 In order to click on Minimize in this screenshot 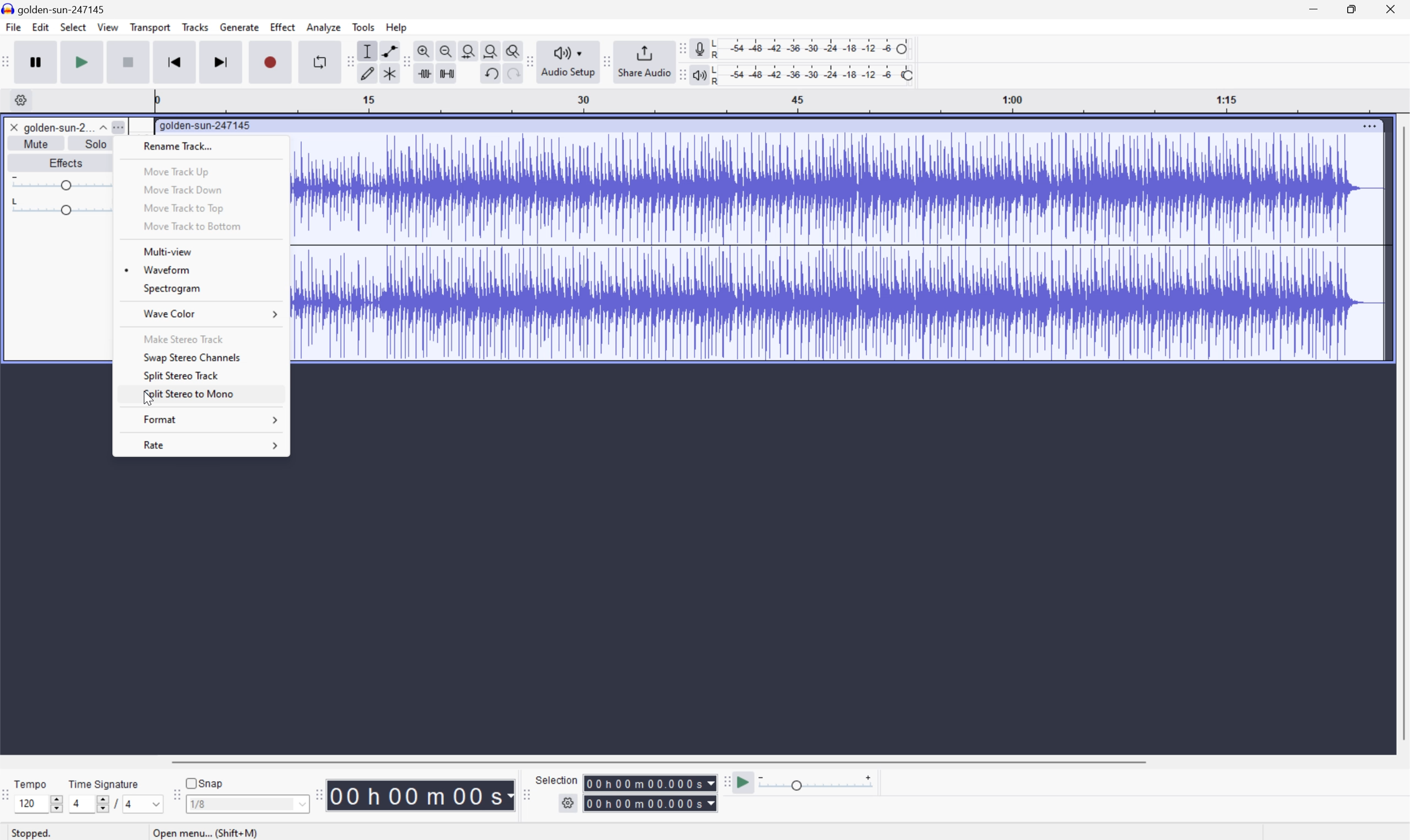, I will do `click(1314, 10)`.